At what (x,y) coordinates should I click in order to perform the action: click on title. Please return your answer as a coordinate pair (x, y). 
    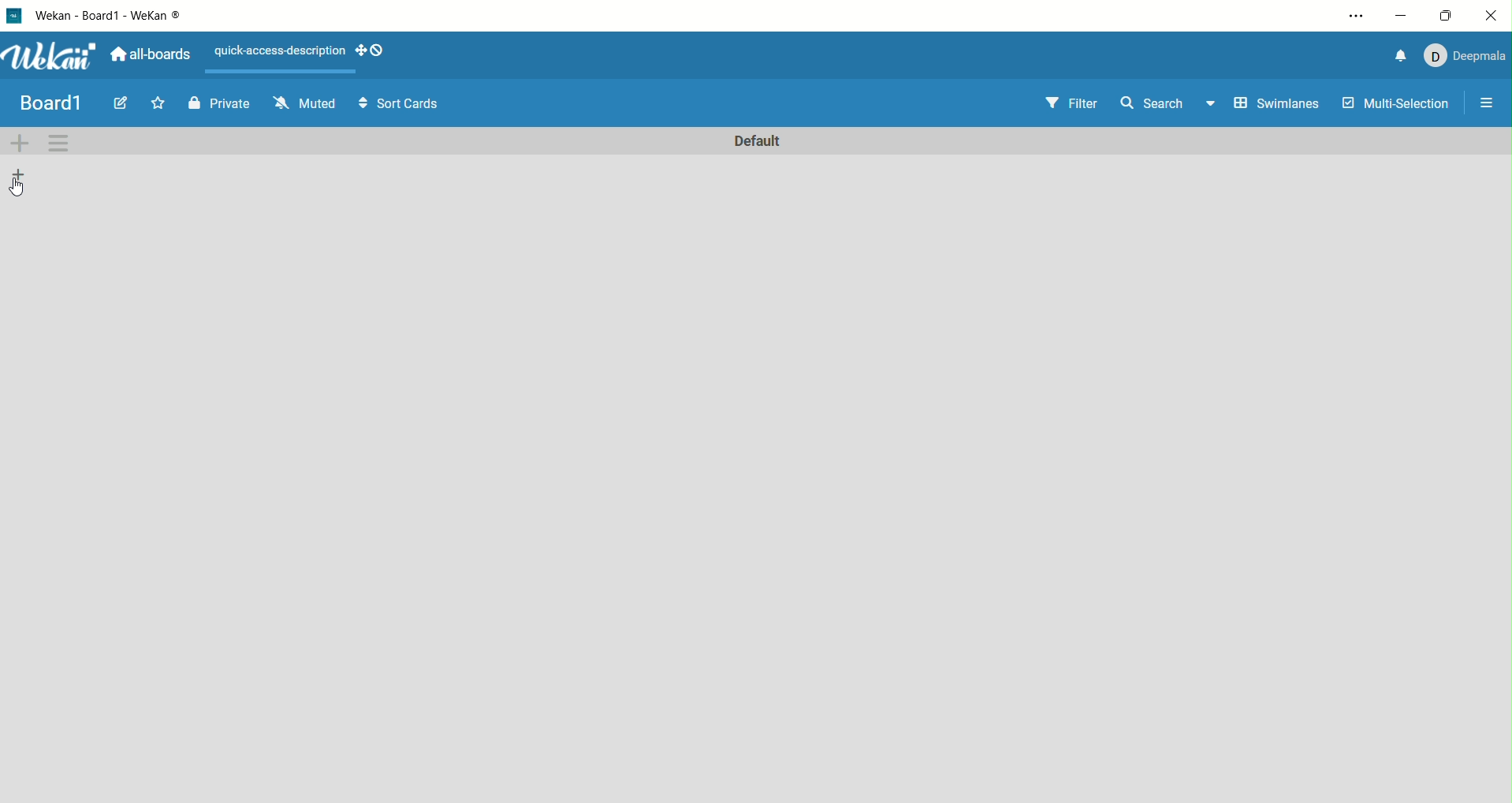
    Looking at the image, I should click on (50, 101).